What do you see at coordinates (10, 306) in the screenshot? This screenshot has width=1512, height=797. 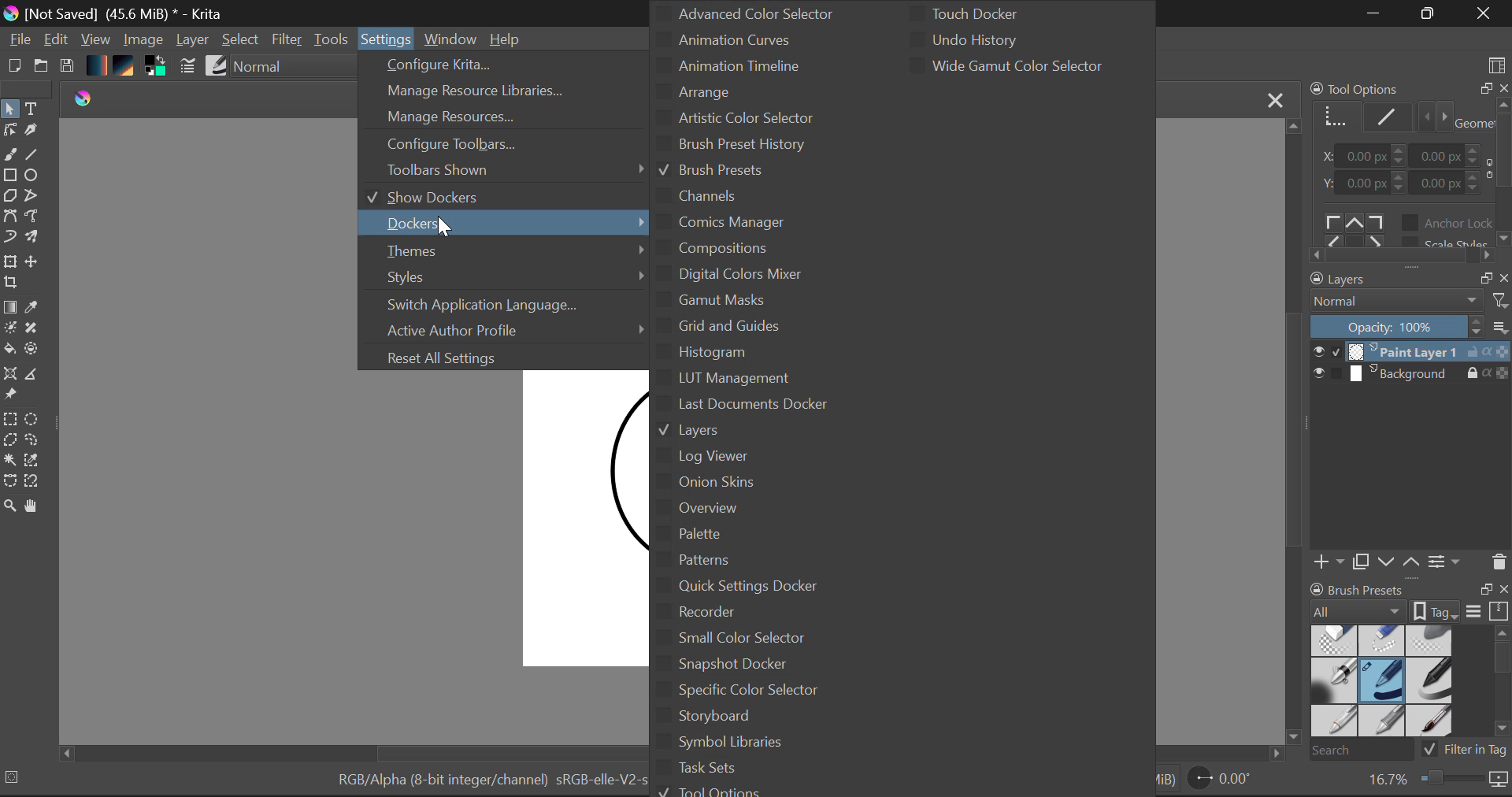 I see `Gradient Fill` at bounding box center [10, 306].